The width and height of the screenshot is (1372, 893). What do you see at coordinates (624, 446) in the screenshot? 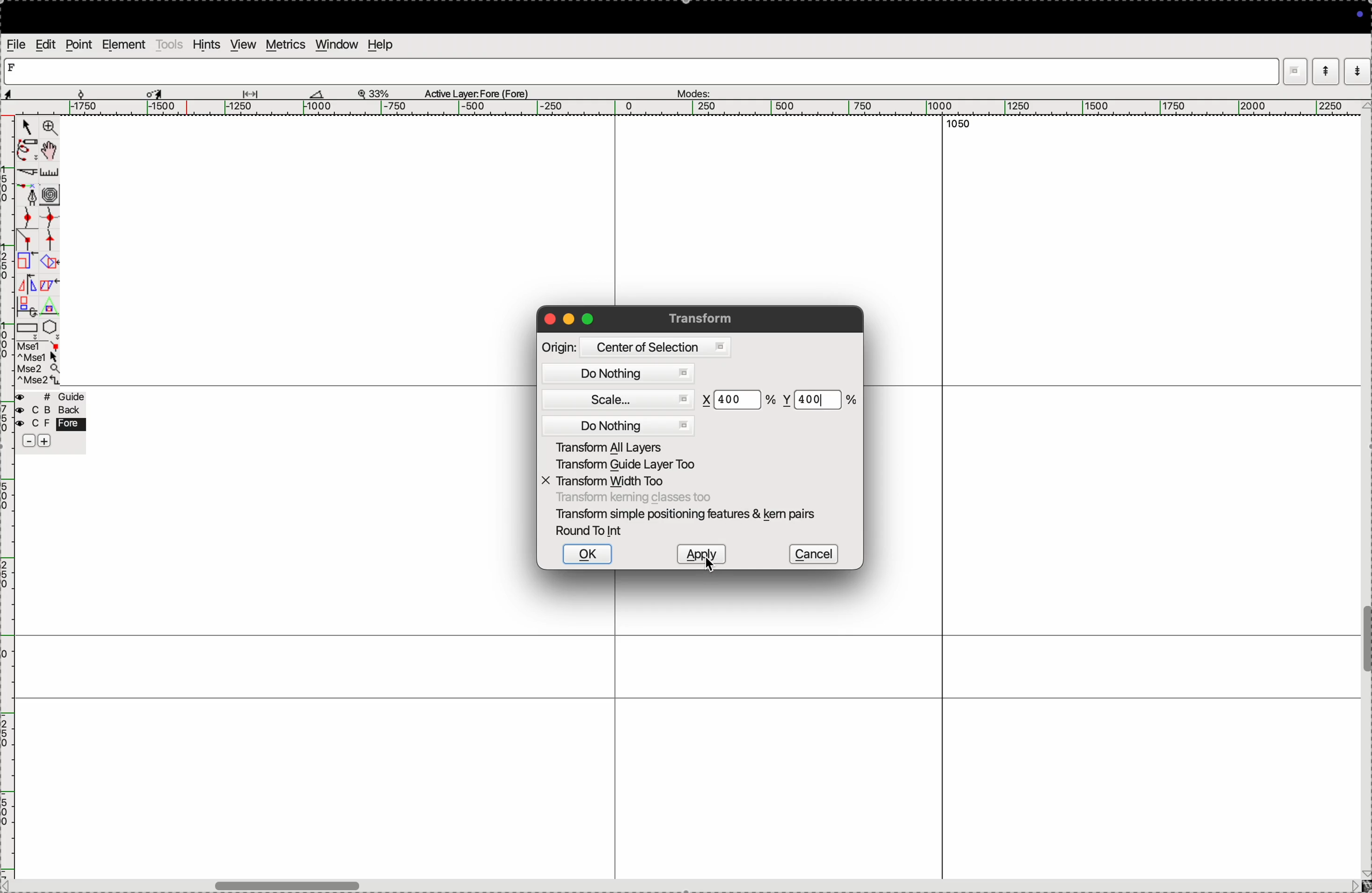
I see `transform all yares` at bounding box center [624, 446].